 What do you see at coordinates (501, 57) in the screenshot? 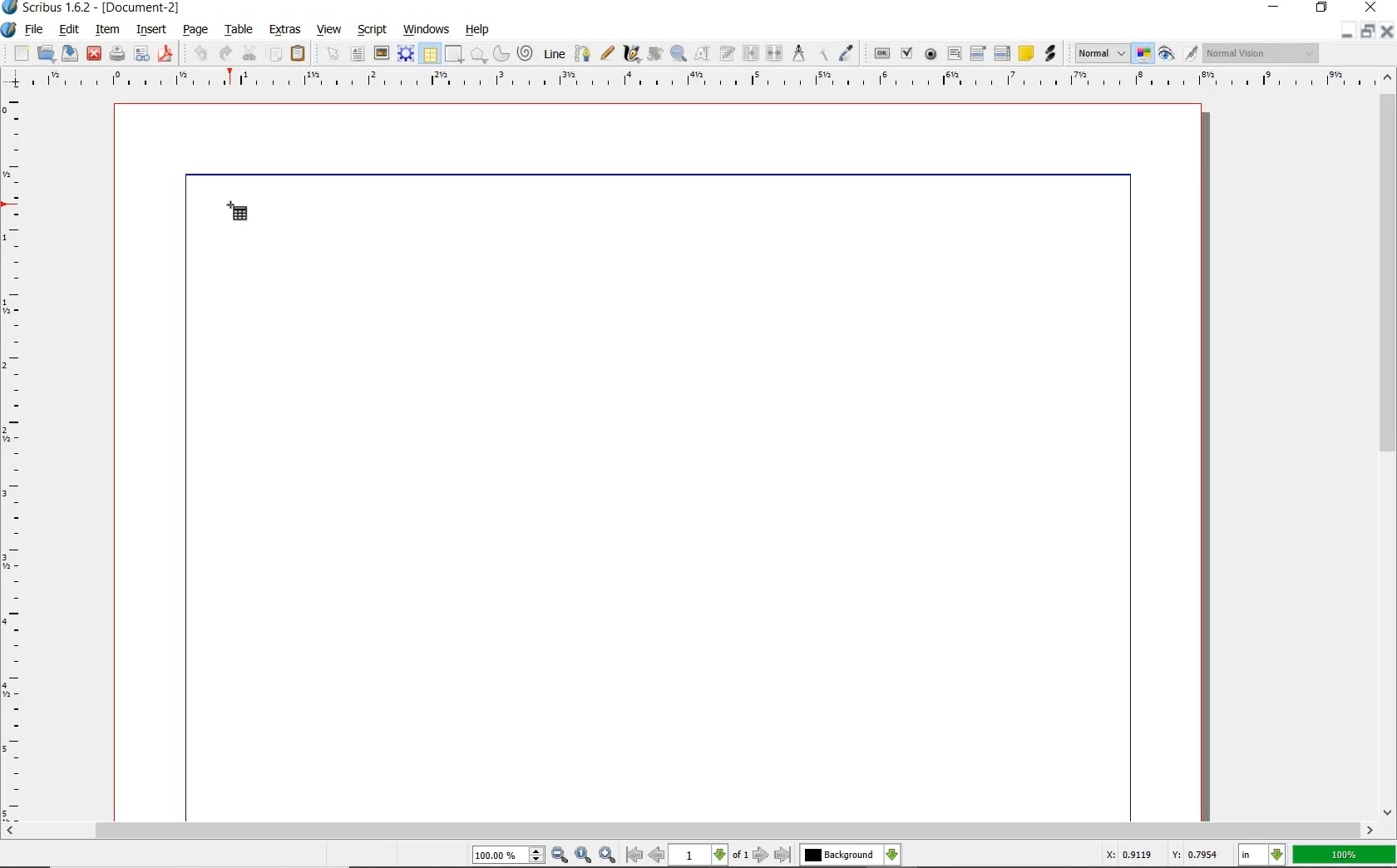
I see `arc` at bounding box center [501, 57].